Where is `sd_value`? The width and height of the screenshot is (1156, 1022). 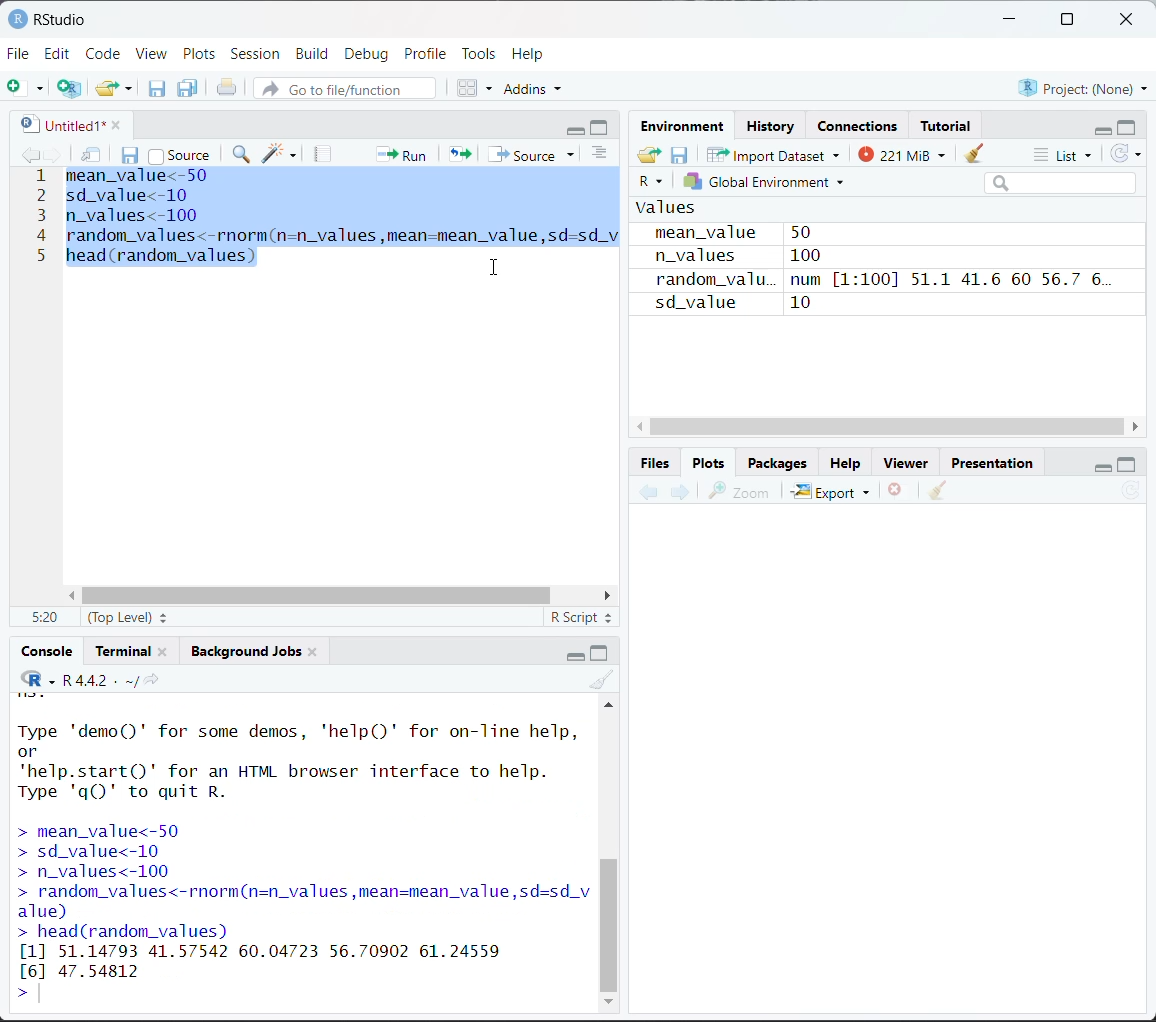
sd_value is located at coordinates (708, 301).